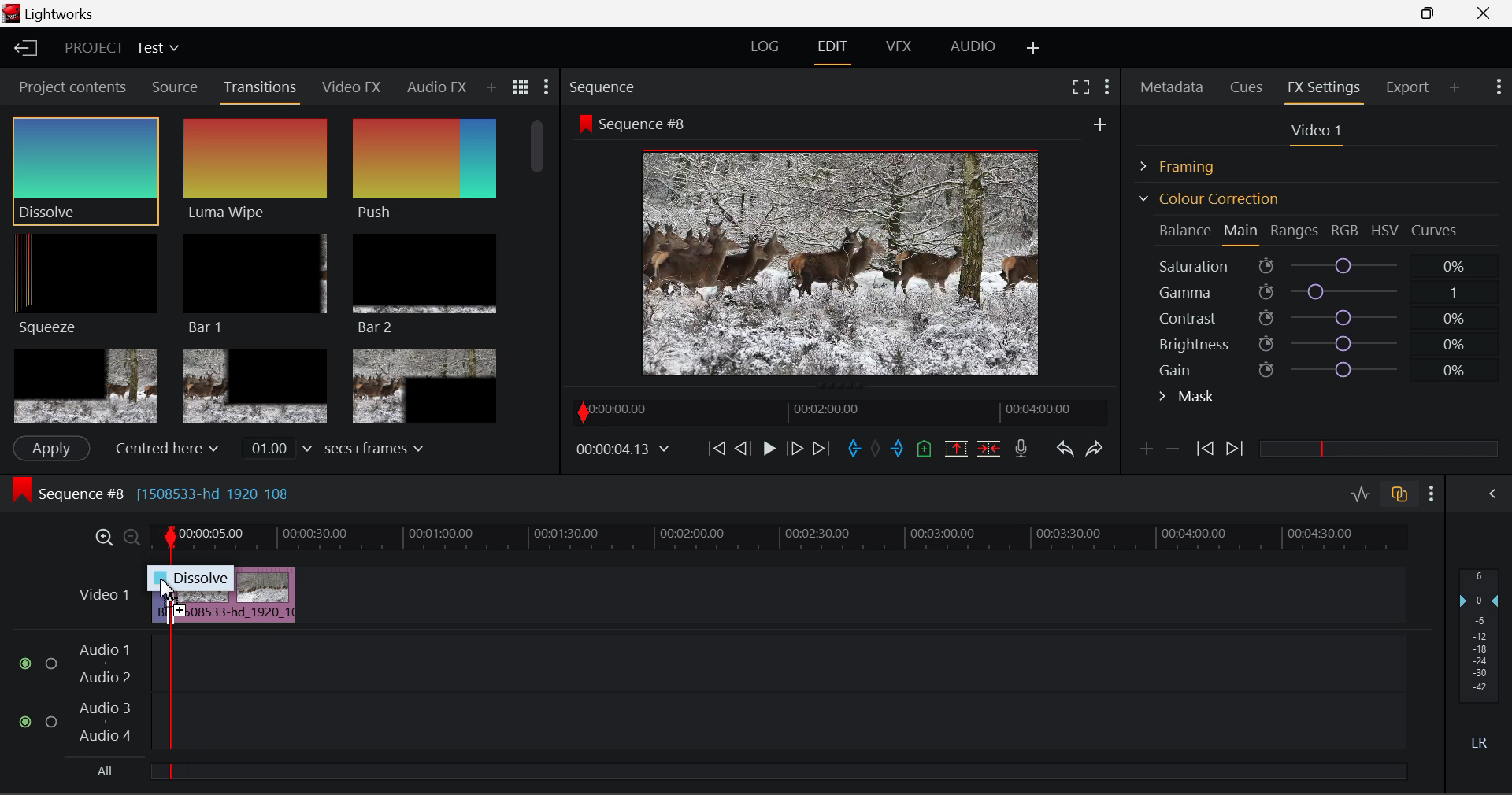  Describe the element at coordinates (1190, 164) in the screenshot. I see `Framing Section` at that location.